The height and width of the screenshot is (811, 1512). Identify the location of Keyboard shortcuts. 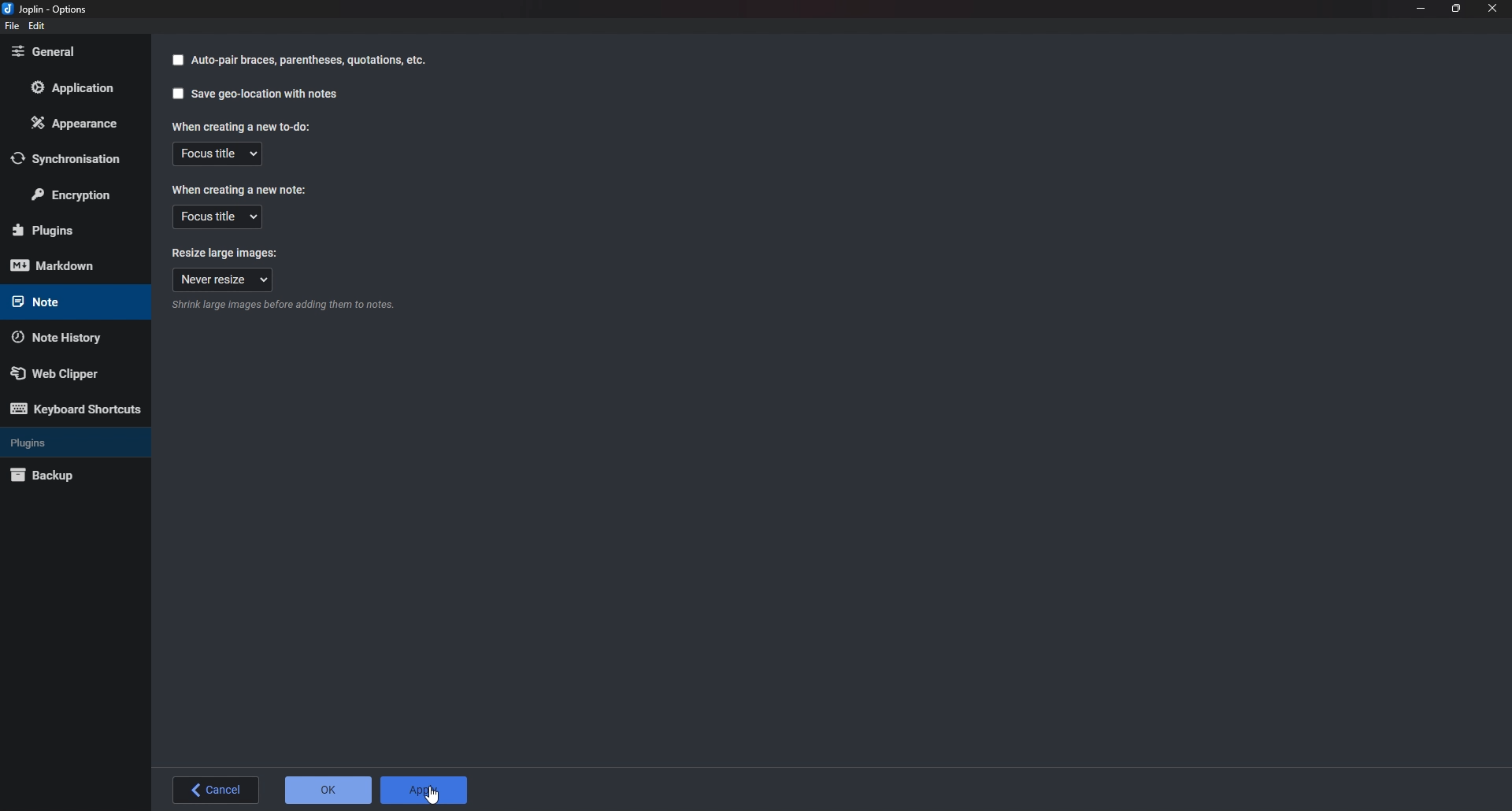
(76, 409).